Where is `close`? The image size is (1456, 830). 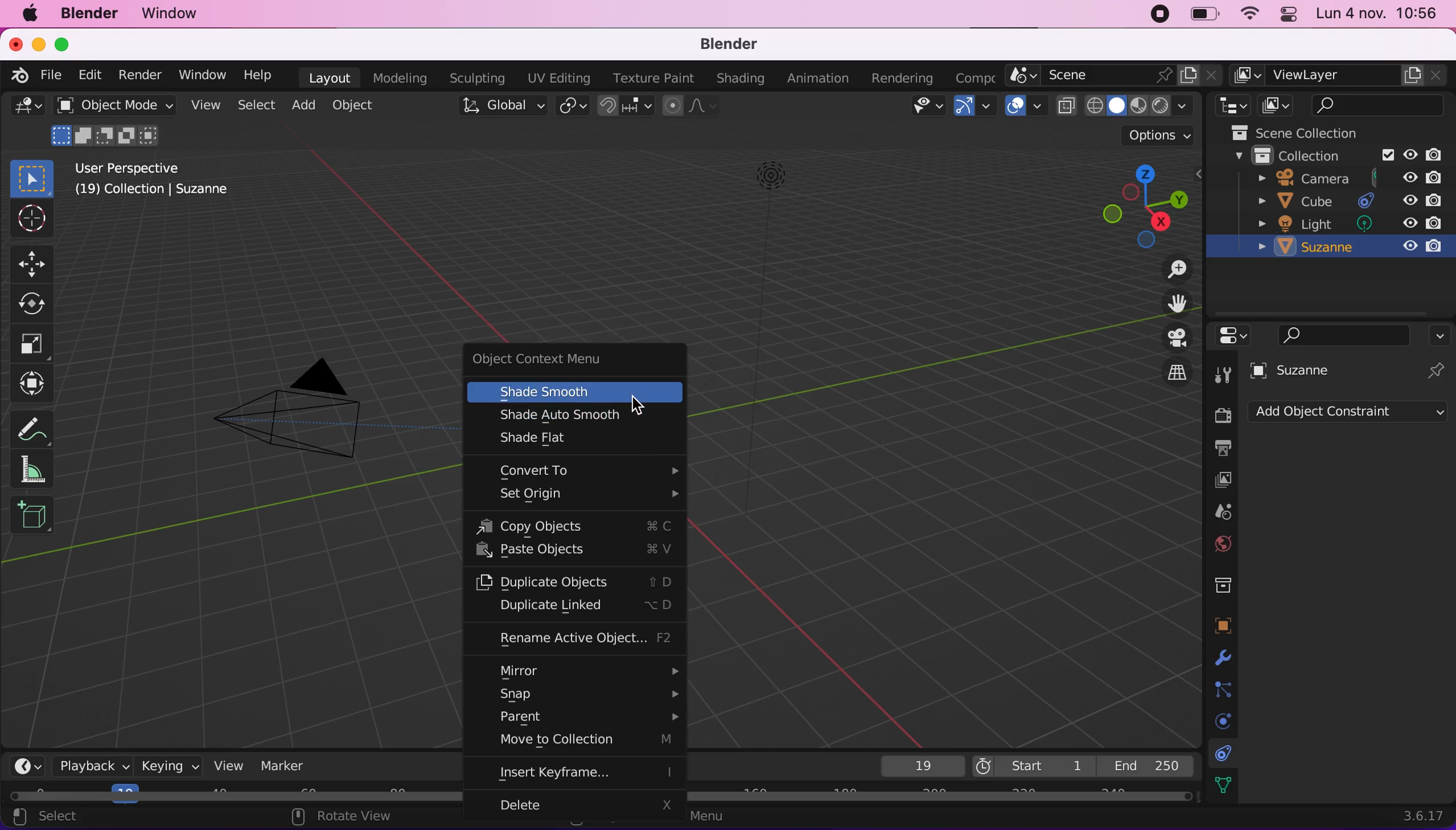
close is located at coordinates (15, 43).